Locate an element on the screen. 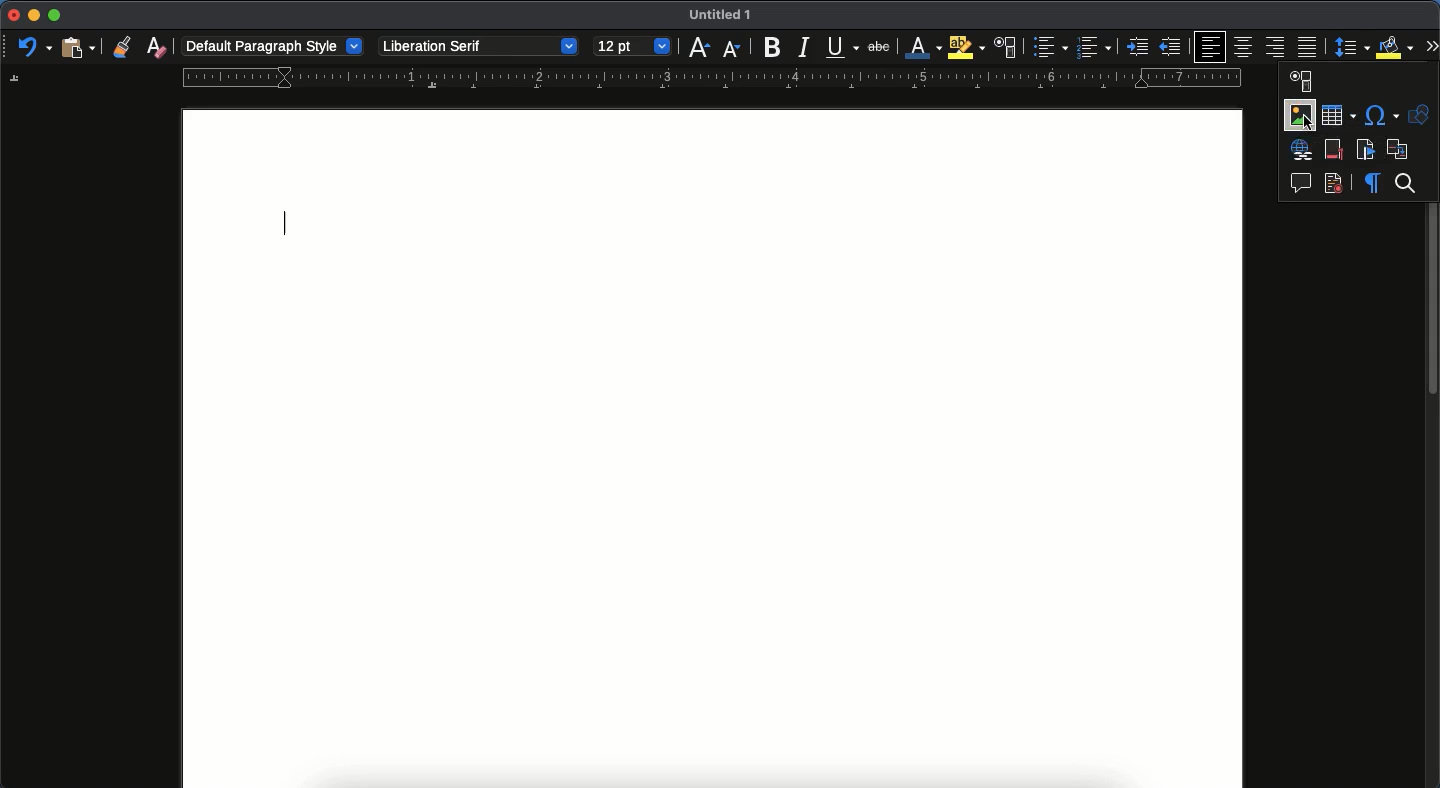  underline is located at coordinates (842, 49).